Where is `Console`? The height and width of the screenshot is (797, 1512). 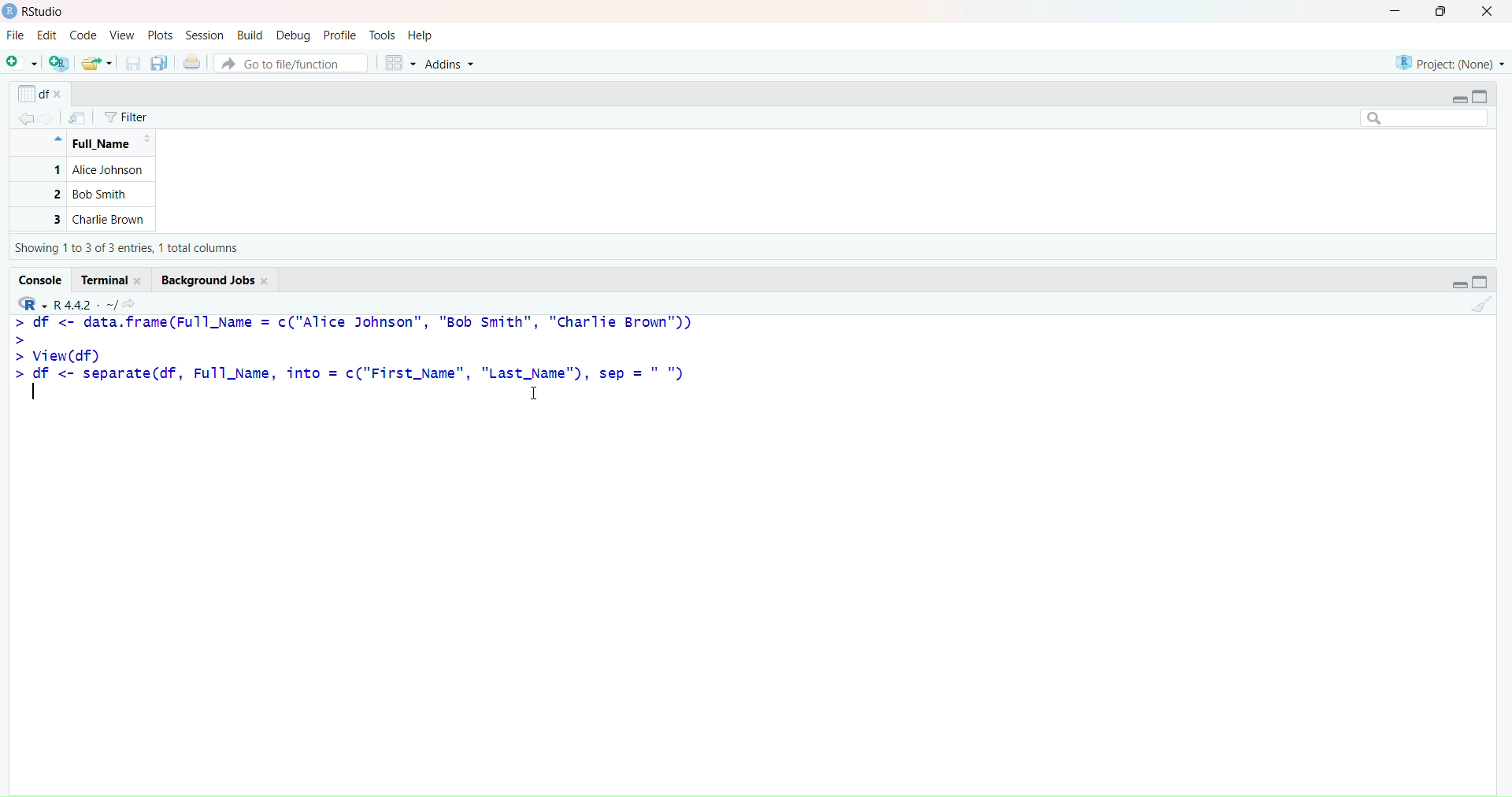 Console is located at coordinates (43, 279).